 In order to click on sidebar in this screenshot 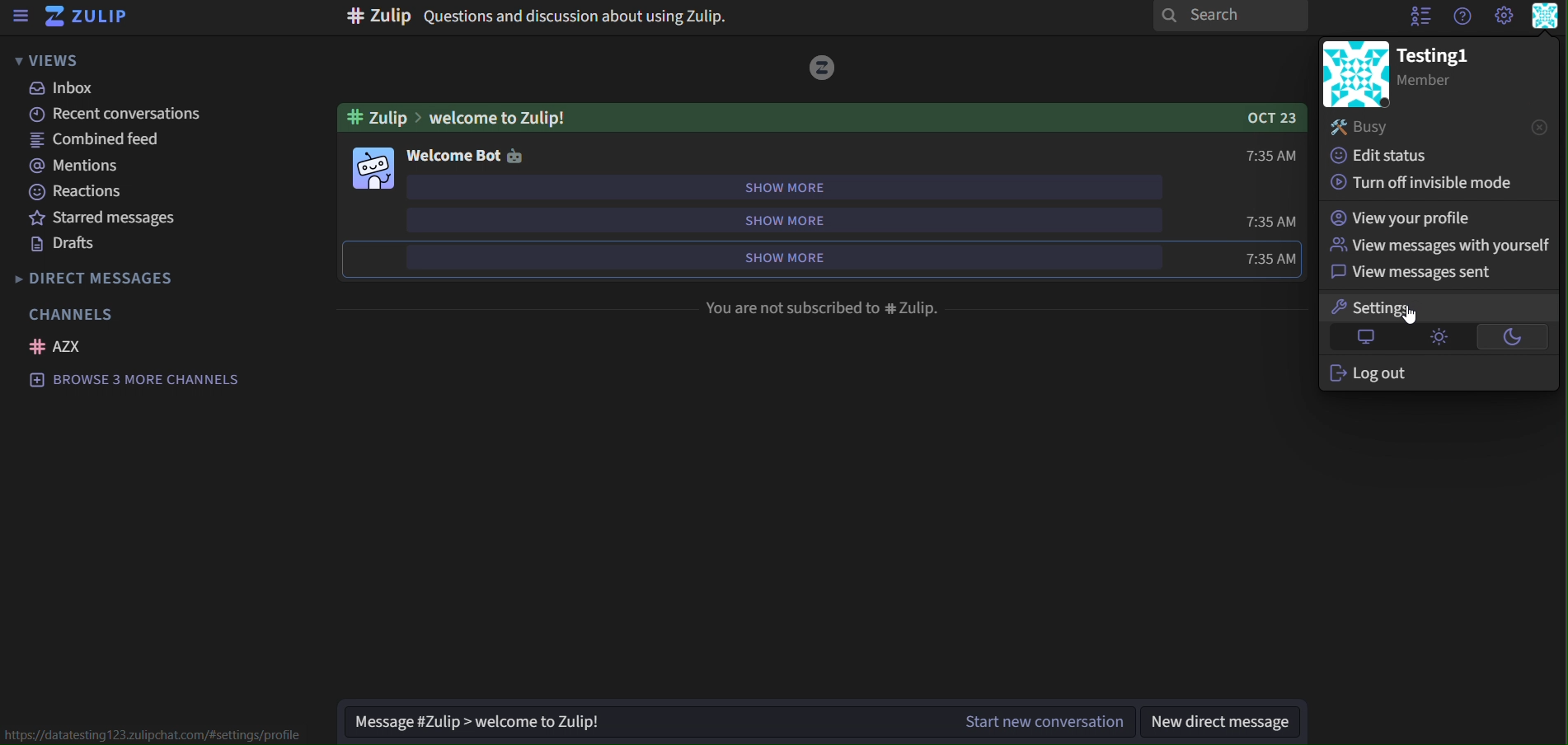, I will do `click(20, 16)`.